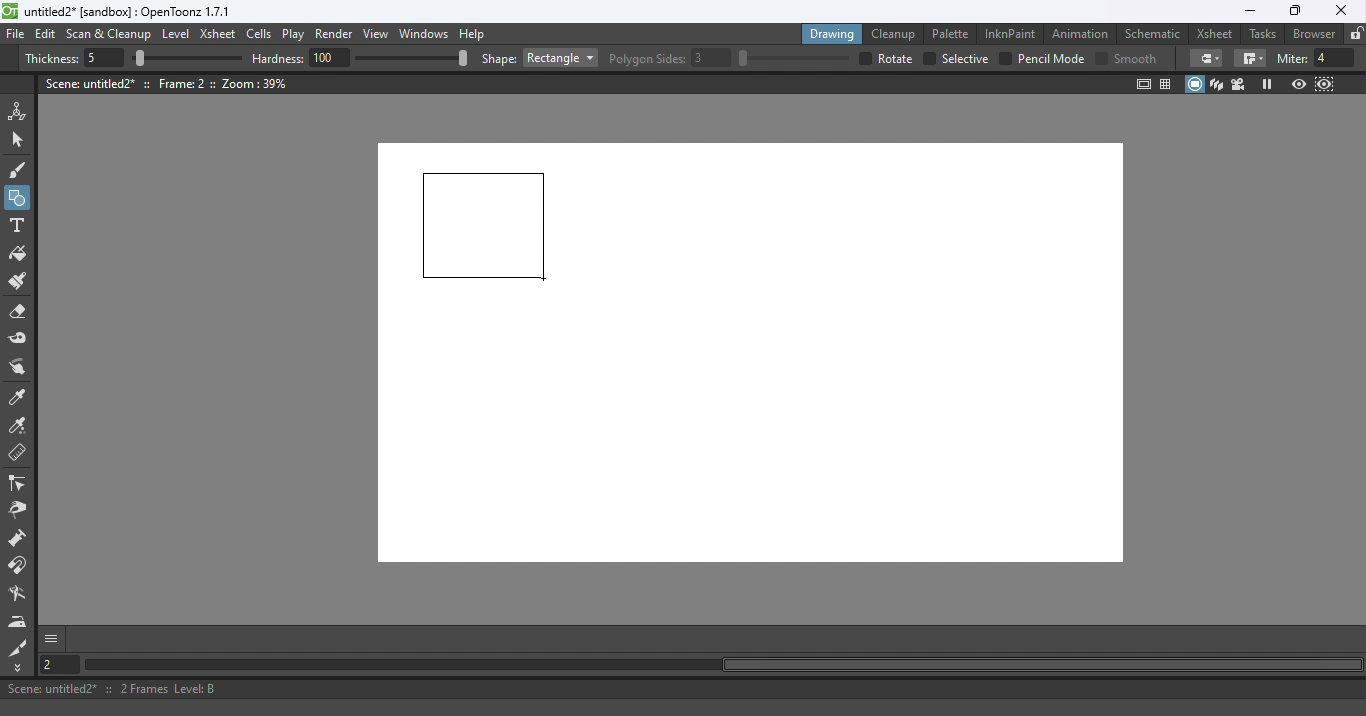 The height and width of the screenshot is (716, 1366). I want to click on logo, so click(10, 11).